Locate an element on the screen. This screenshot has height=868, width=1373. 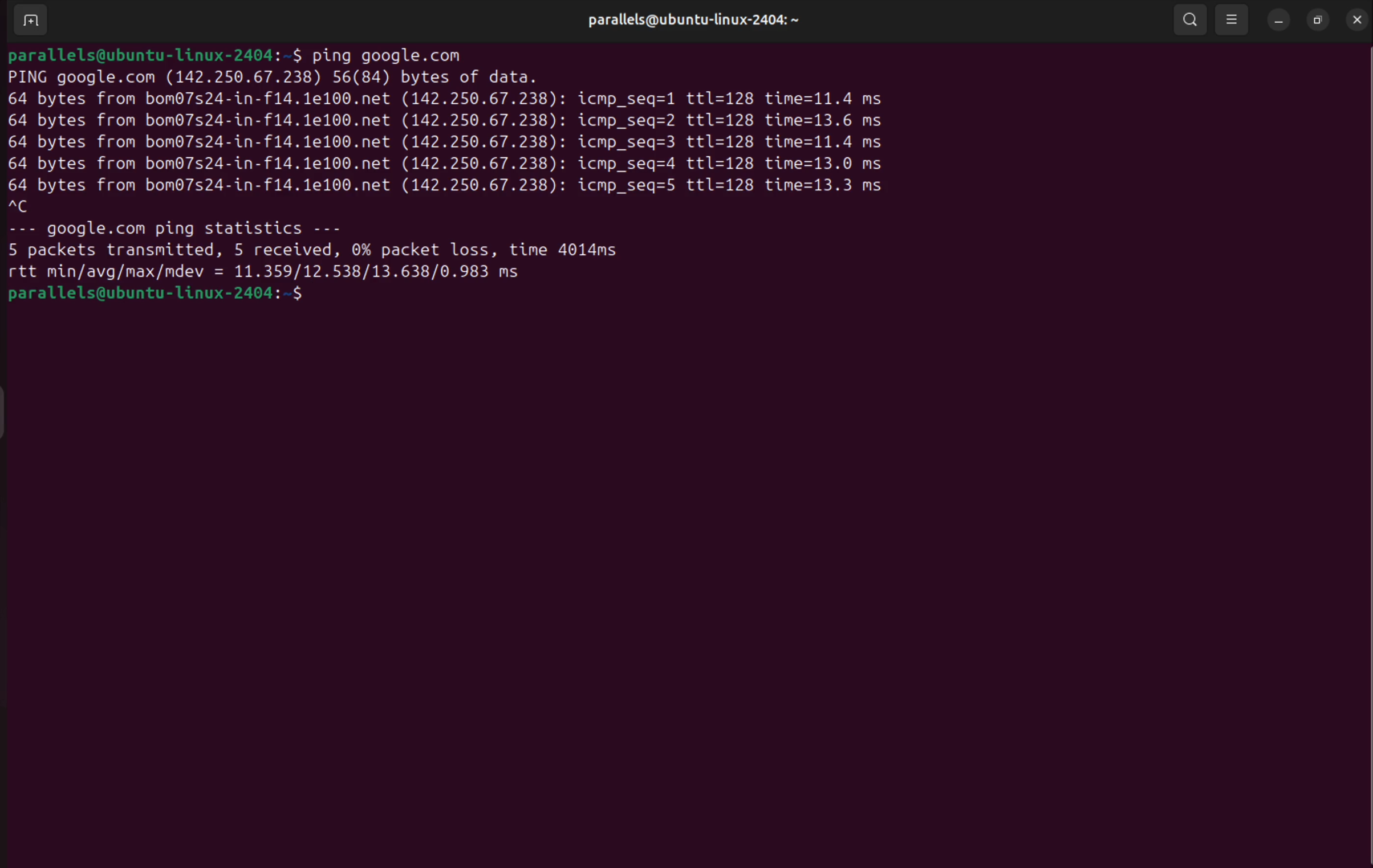
view options is located at coordinates (1231, 19).